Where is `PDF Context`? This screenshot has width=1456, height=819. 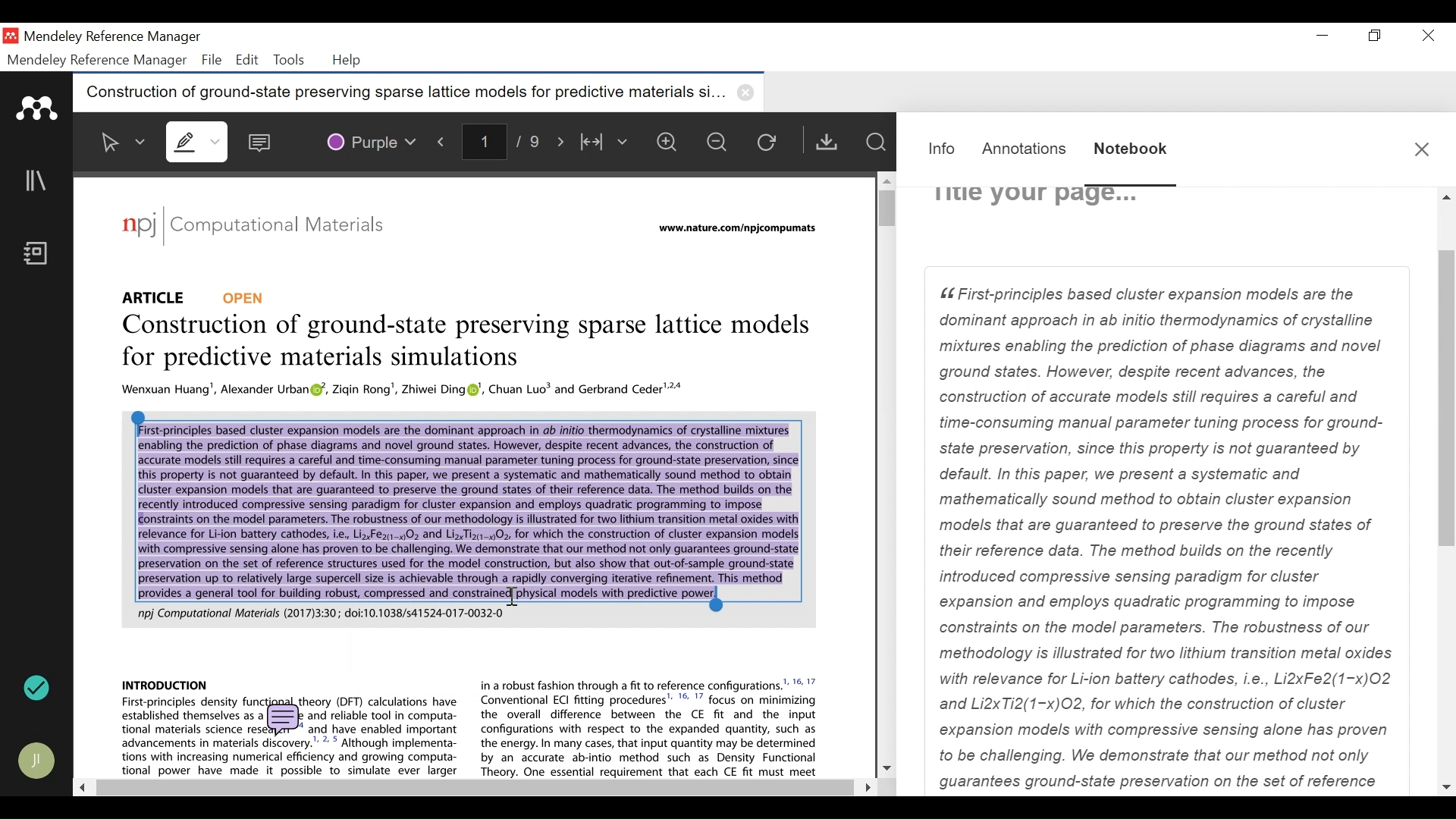
PDF Context is located at coordinates (165, 683).